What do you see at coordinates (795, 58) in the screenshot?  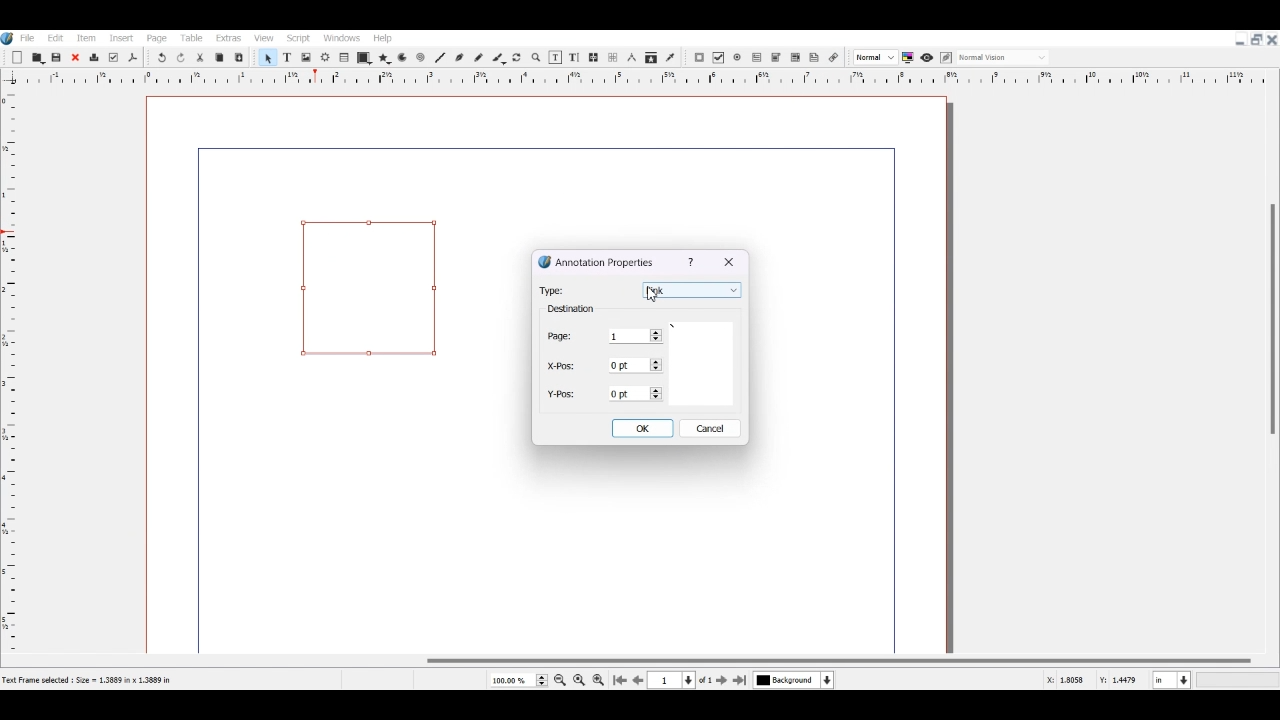 I see `PDF List Box` at bounding box center [795, 58].